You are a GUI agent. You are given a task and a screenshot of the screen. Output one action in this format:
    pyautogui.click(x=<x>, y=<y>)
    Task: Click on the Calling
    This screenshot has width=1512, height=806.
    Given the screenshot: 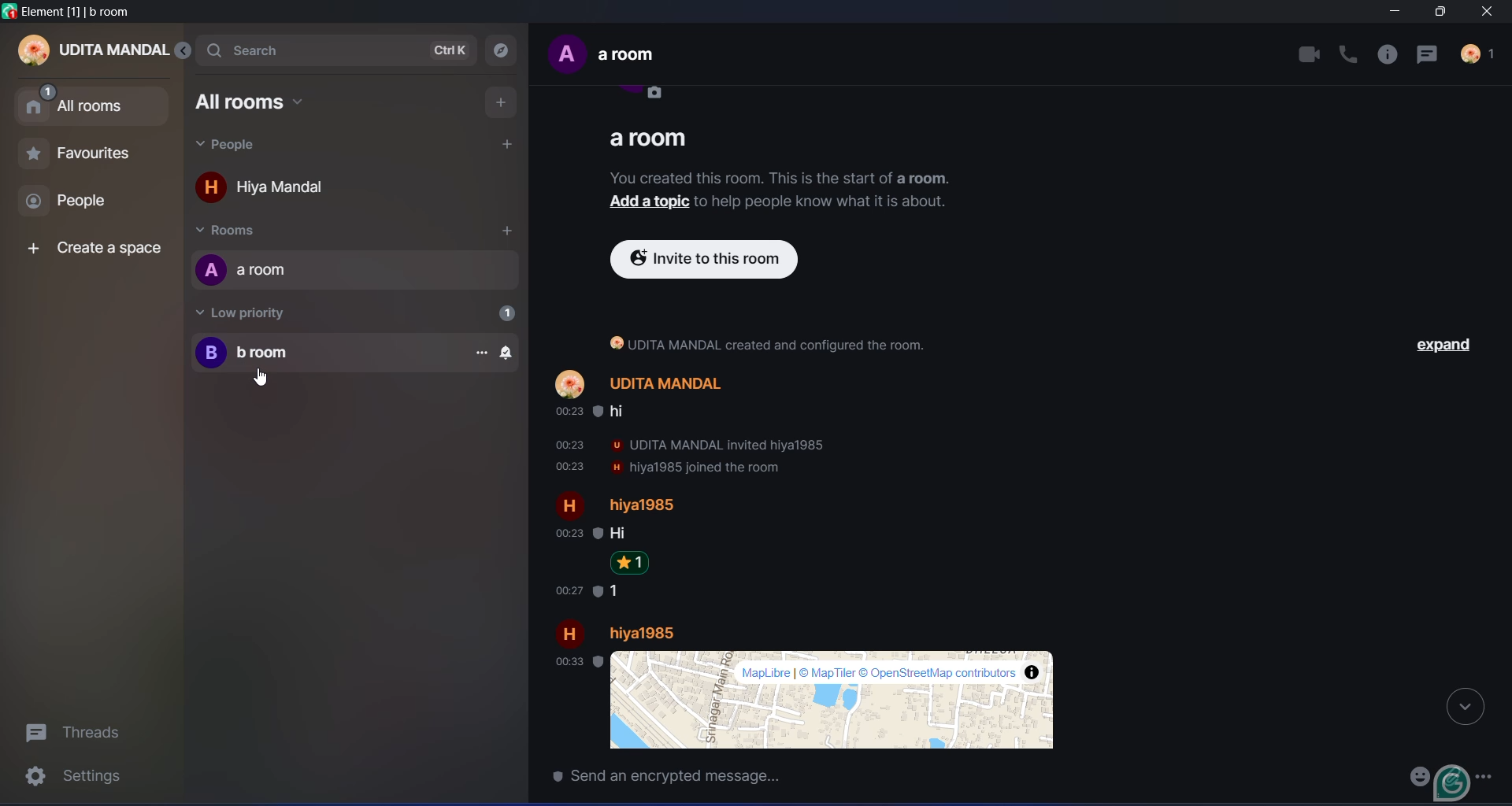 What is the action you would take?
    pyautogui.click(x=1350, y=54)
    